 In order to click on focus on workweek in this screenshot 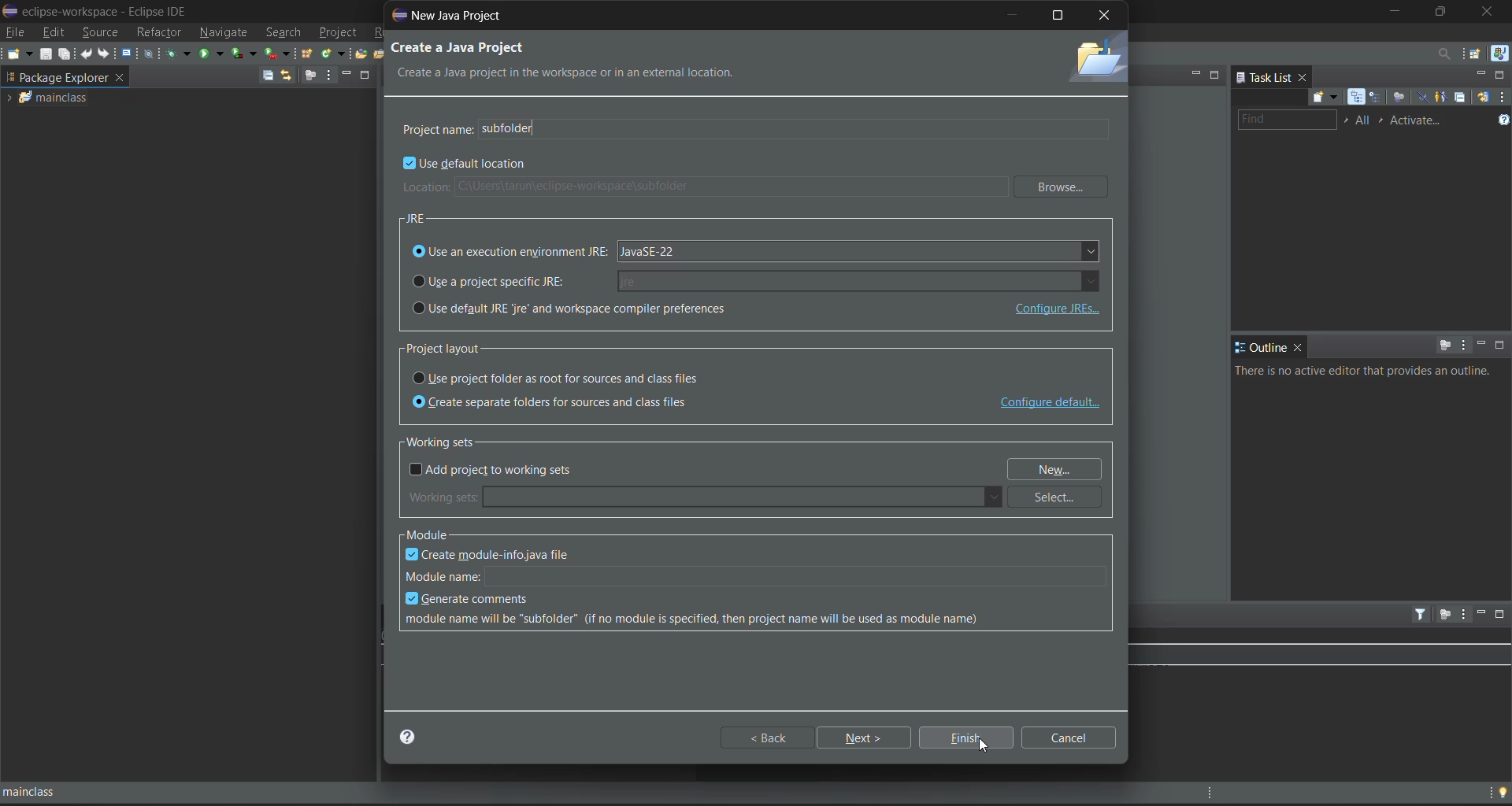, I will do `click(1398, 96)`.